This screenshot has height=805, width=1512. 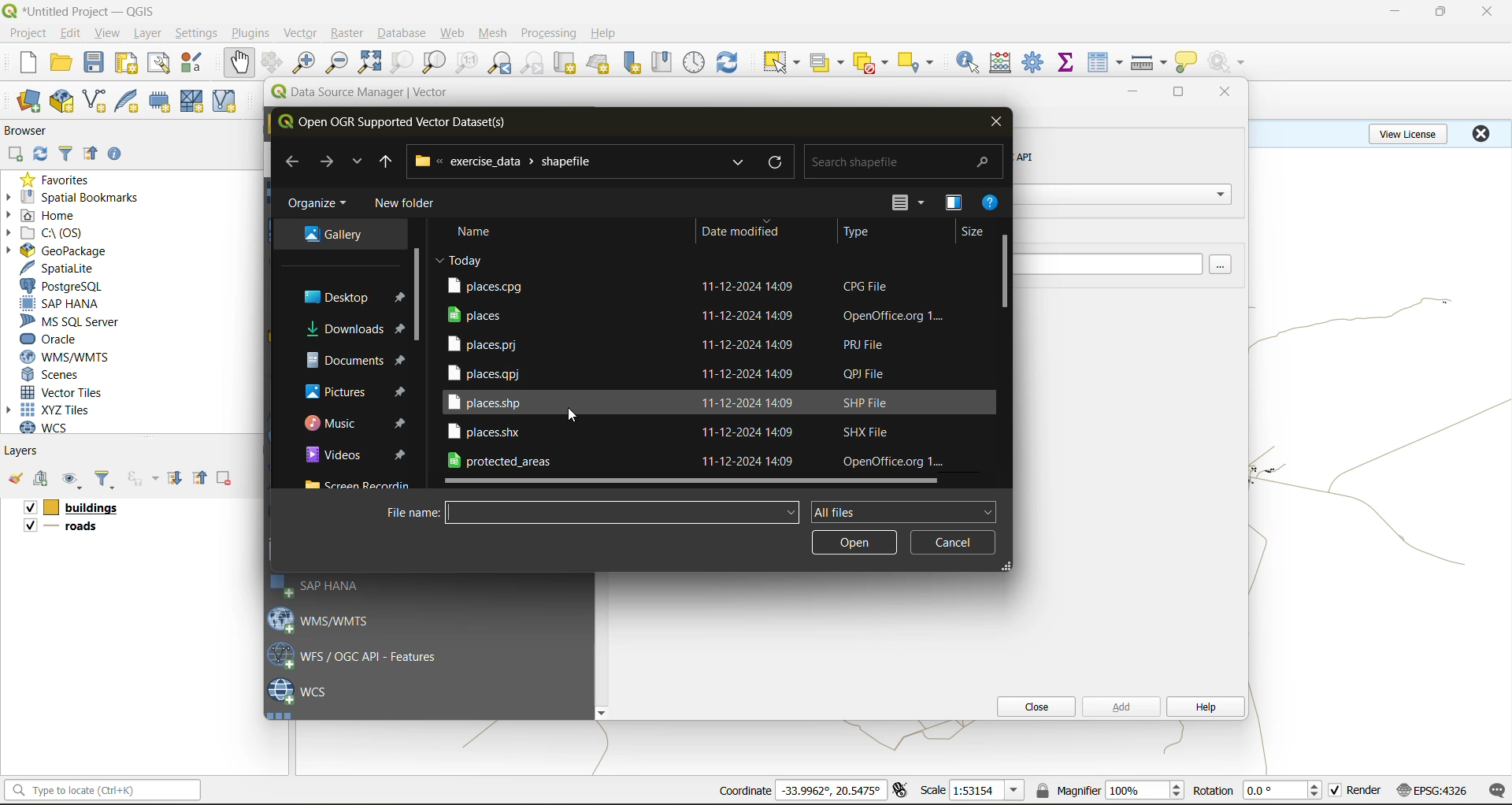 What do you see at coordinates (226, 478) in the screenshot?
I see `remove layer` at bounding box center [226, 478].